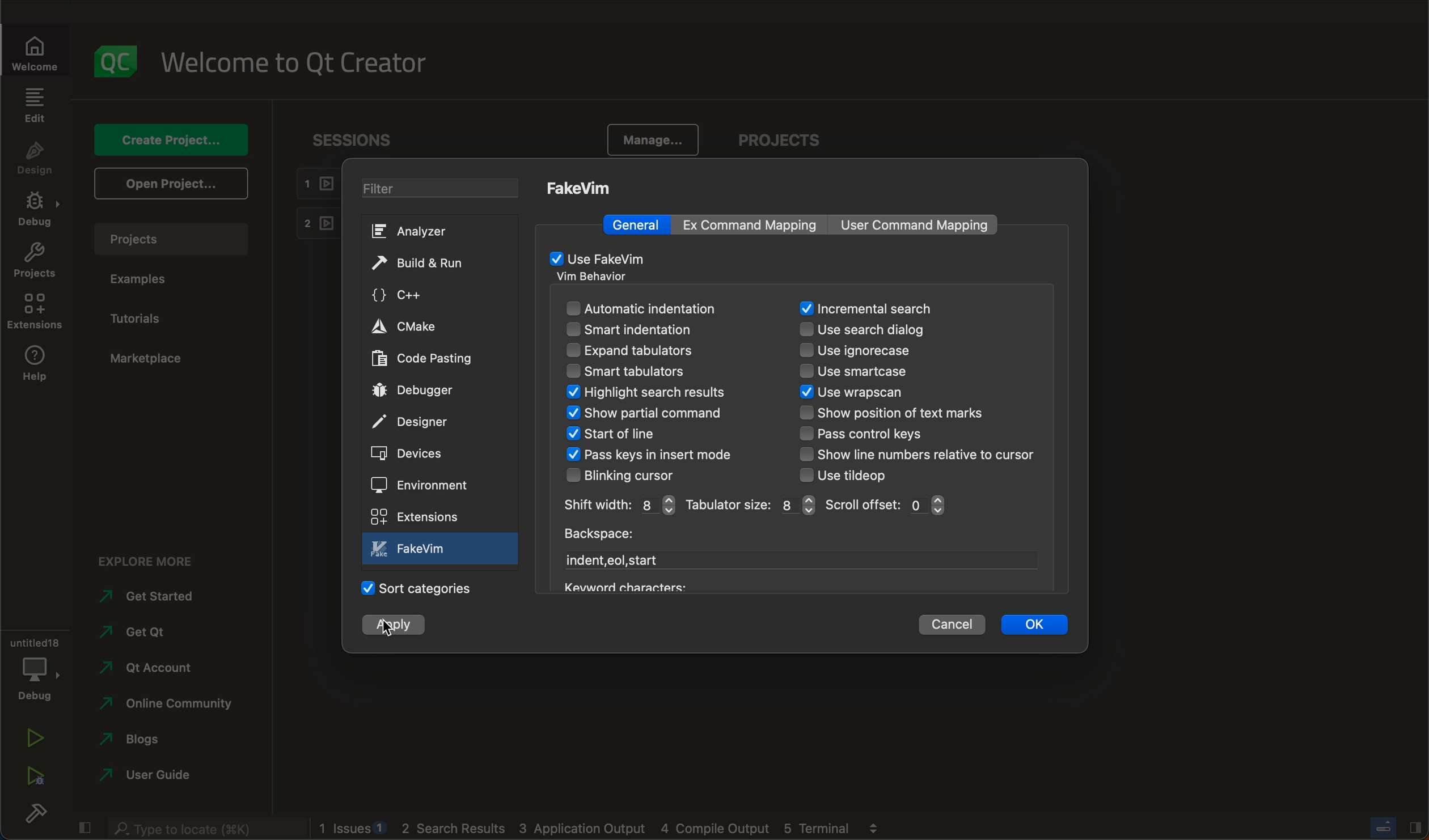  What do you see at coordinates (160, 596) in the screenshot?
I see `started` at bounding box center [160, 596].